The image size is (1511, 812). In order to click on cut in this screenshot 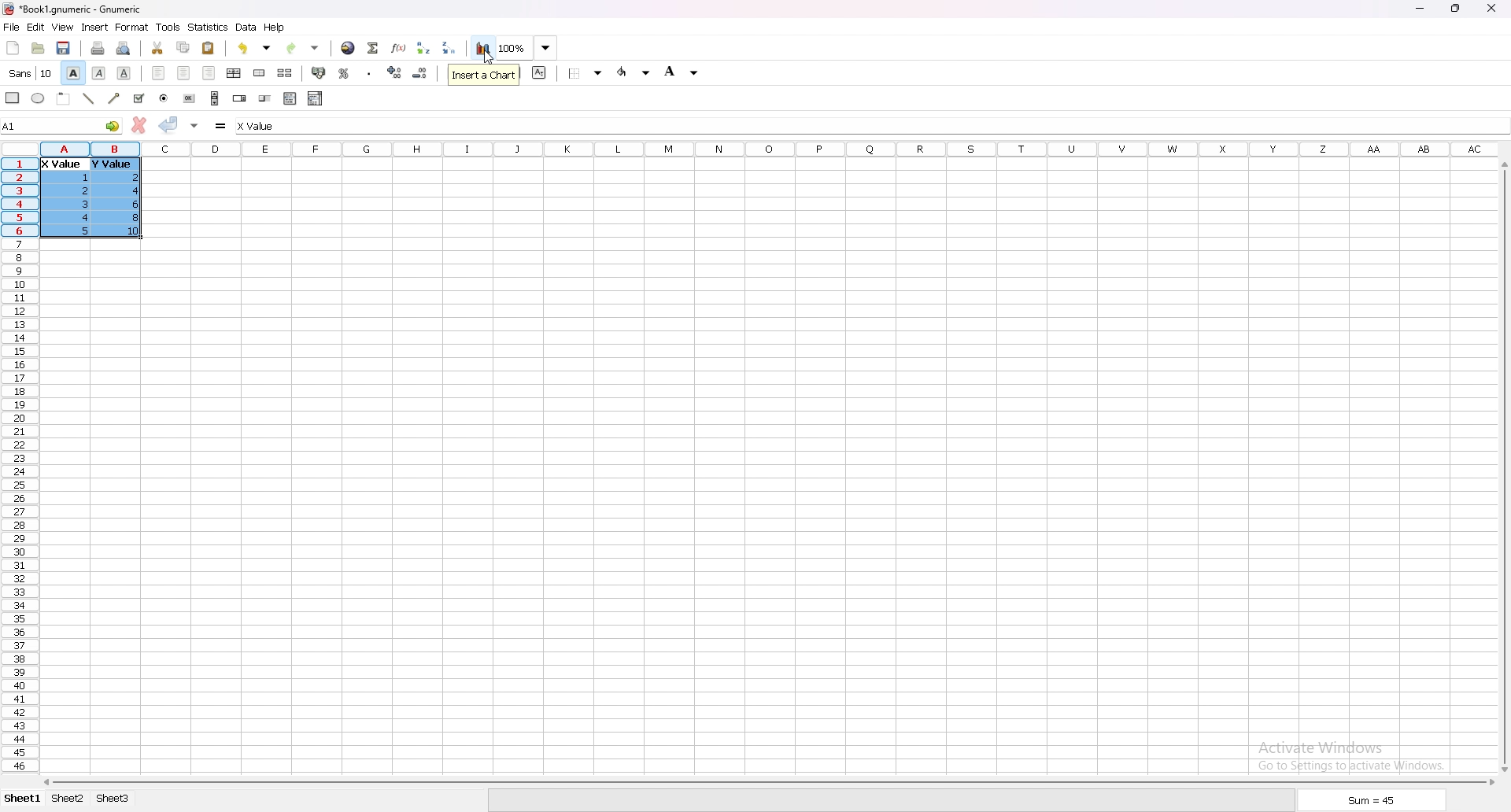, I will do `click(158, 47)`.